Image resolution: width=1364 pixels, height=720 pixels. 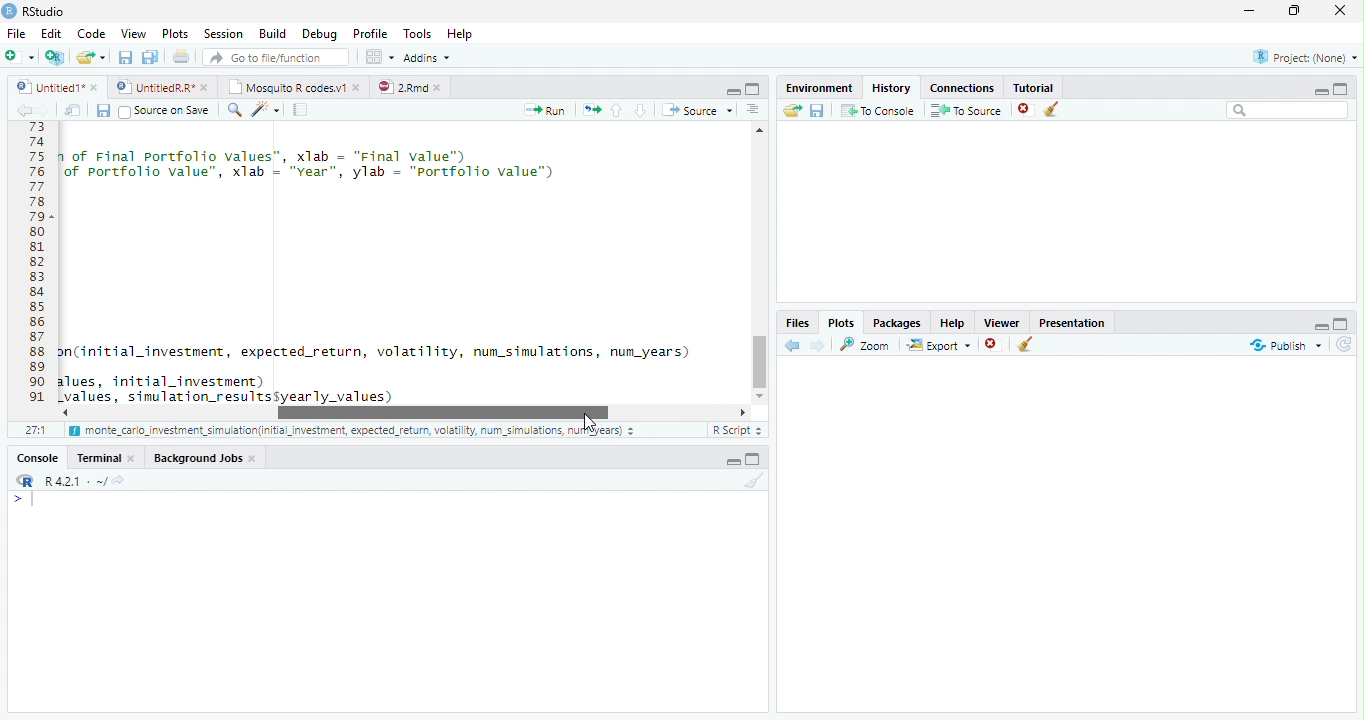 What do you see at coordinates (73, 110) in the screenshot?
I see `Open in new window` at bounding box center [73, 110].